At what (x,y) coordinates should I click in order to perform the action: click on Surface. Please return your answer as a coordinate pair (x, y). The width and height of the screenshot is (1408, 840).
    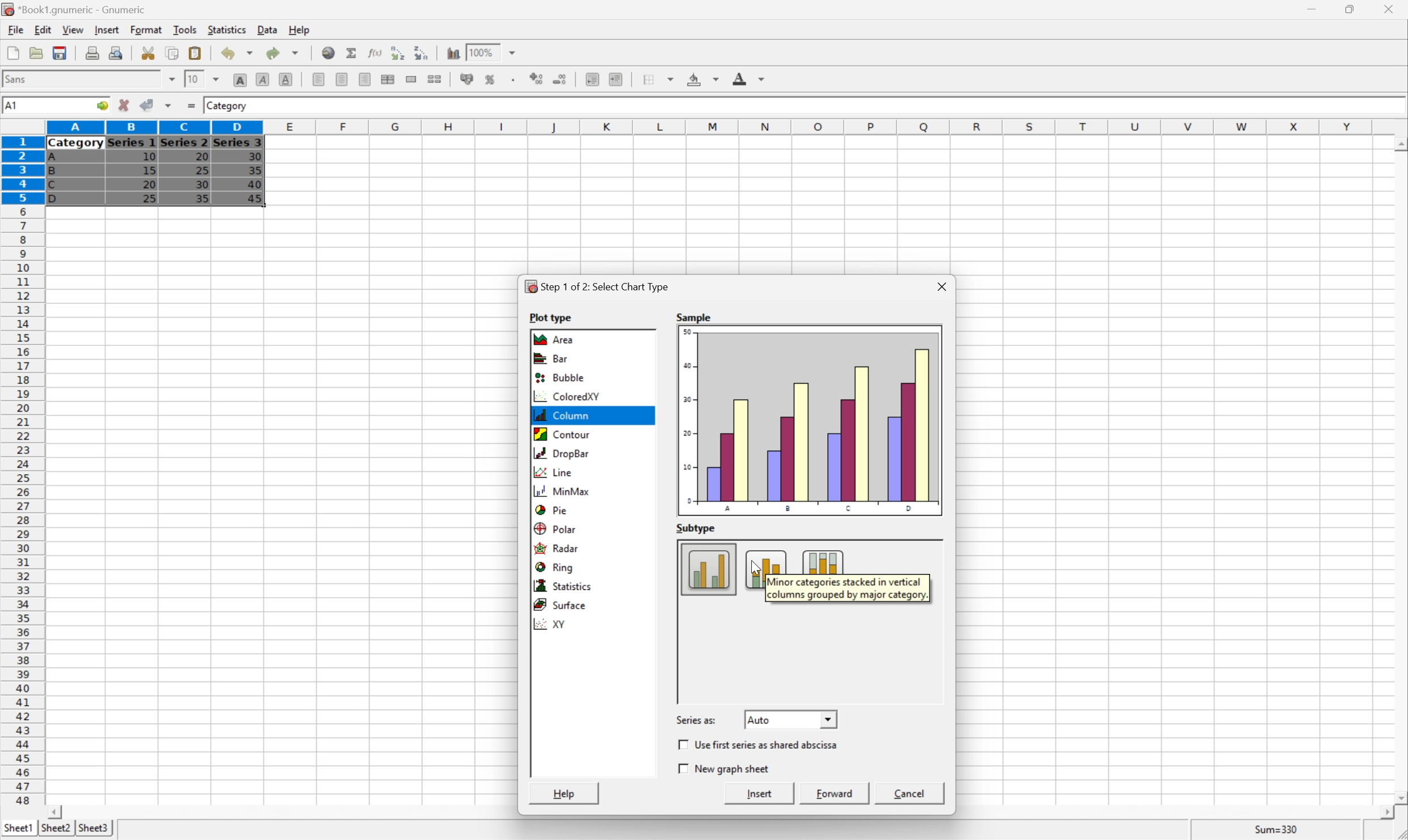
    Looking at the image, I should click on (560, 605).